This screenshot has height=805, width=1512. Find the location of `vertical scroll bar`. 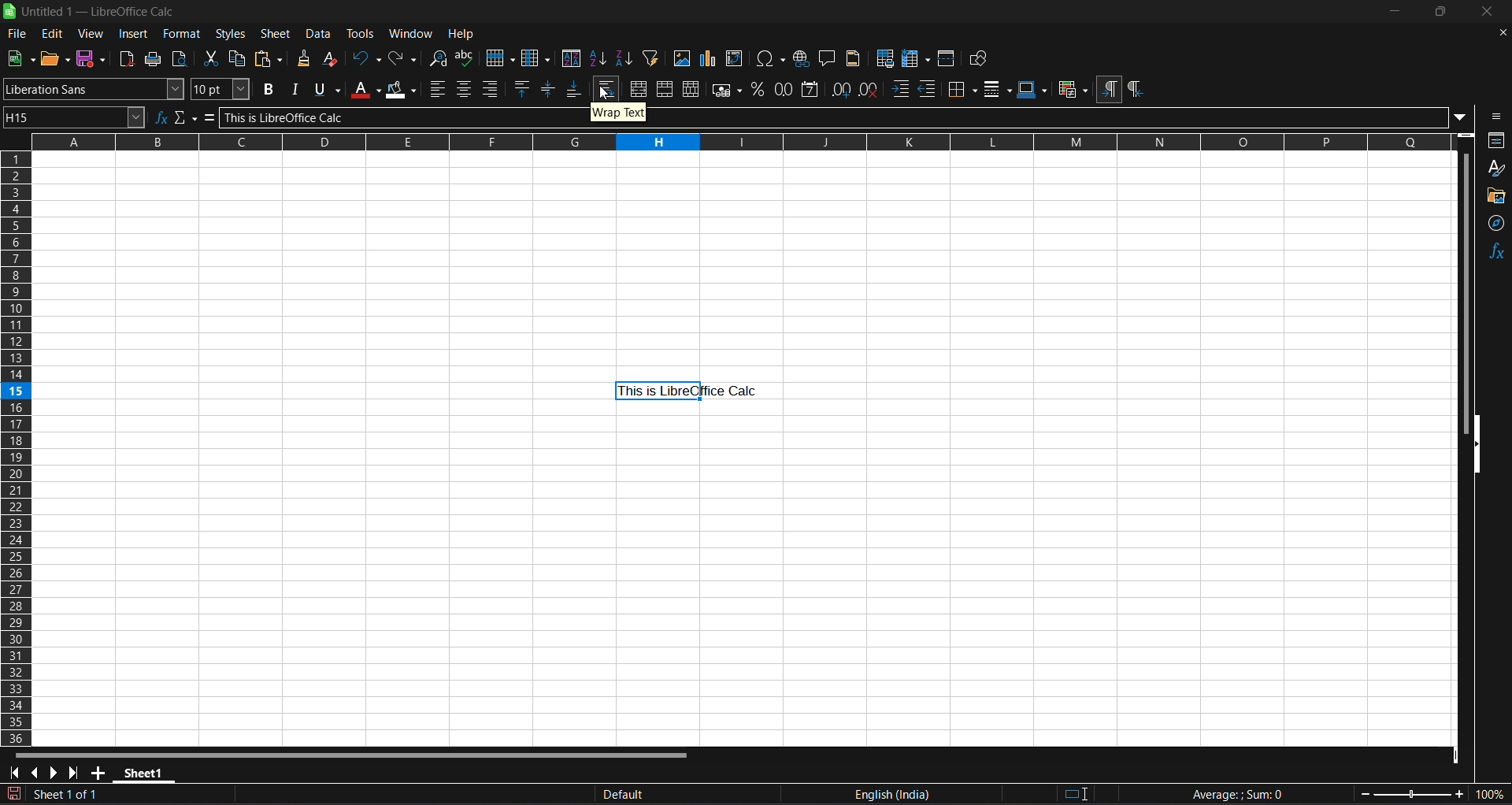

vertical scroll bar is located at coordinates (1466, 297).